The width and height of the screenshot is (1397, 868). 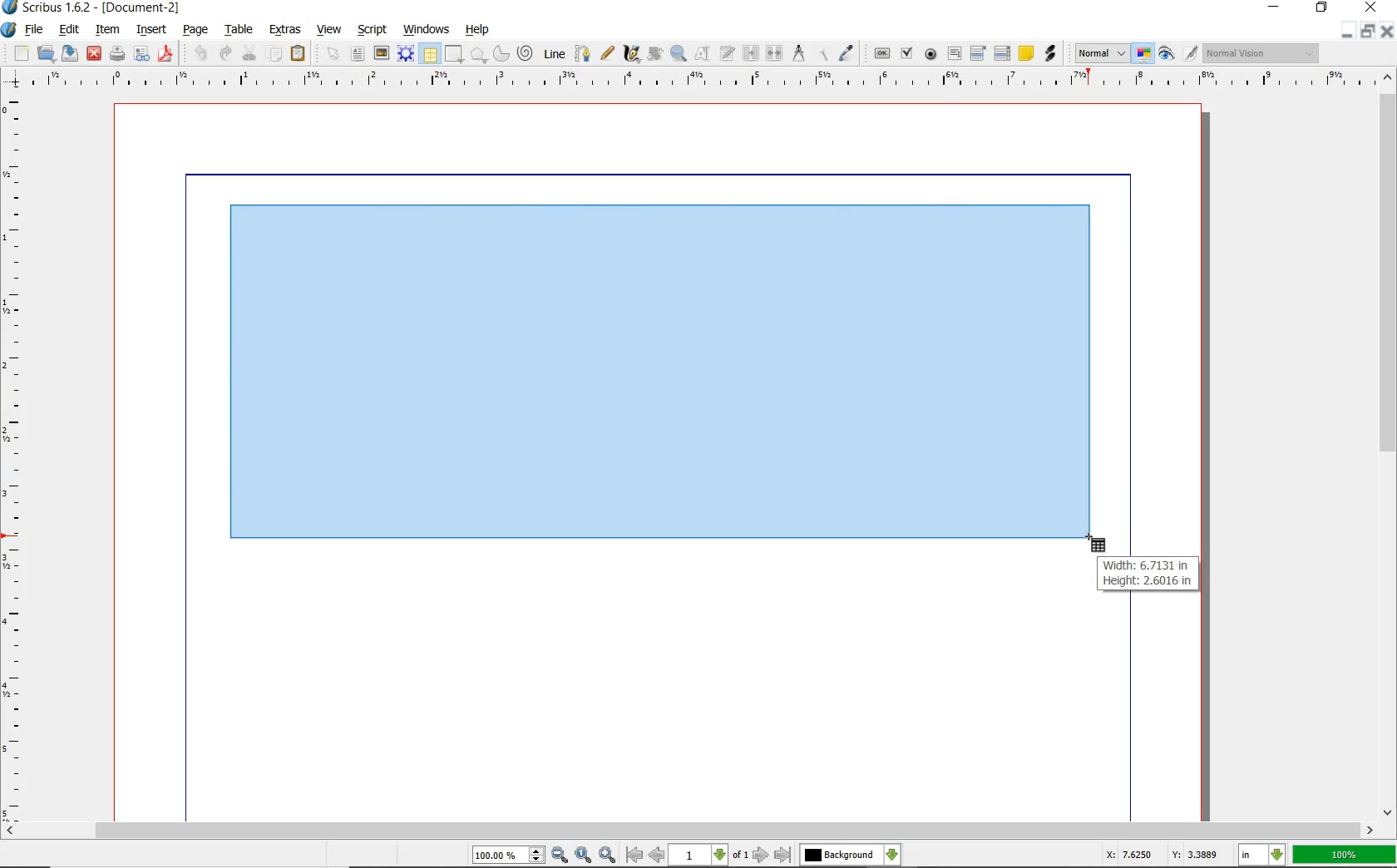 I want to click on file, so click(x=36, y=31).